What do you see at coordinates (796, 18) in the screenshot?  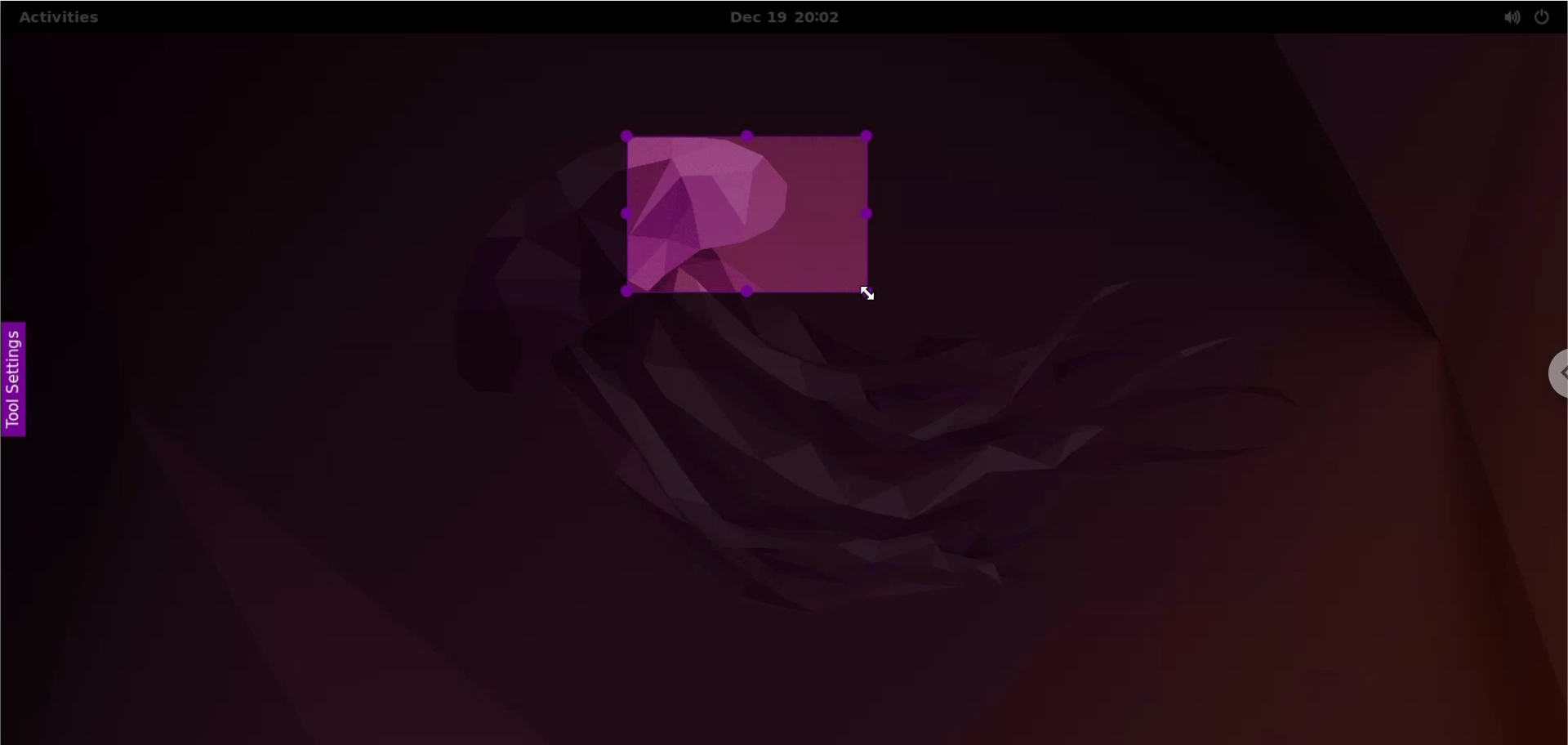 I see `Dec 19 20:02` at bounding box center [796, 18].